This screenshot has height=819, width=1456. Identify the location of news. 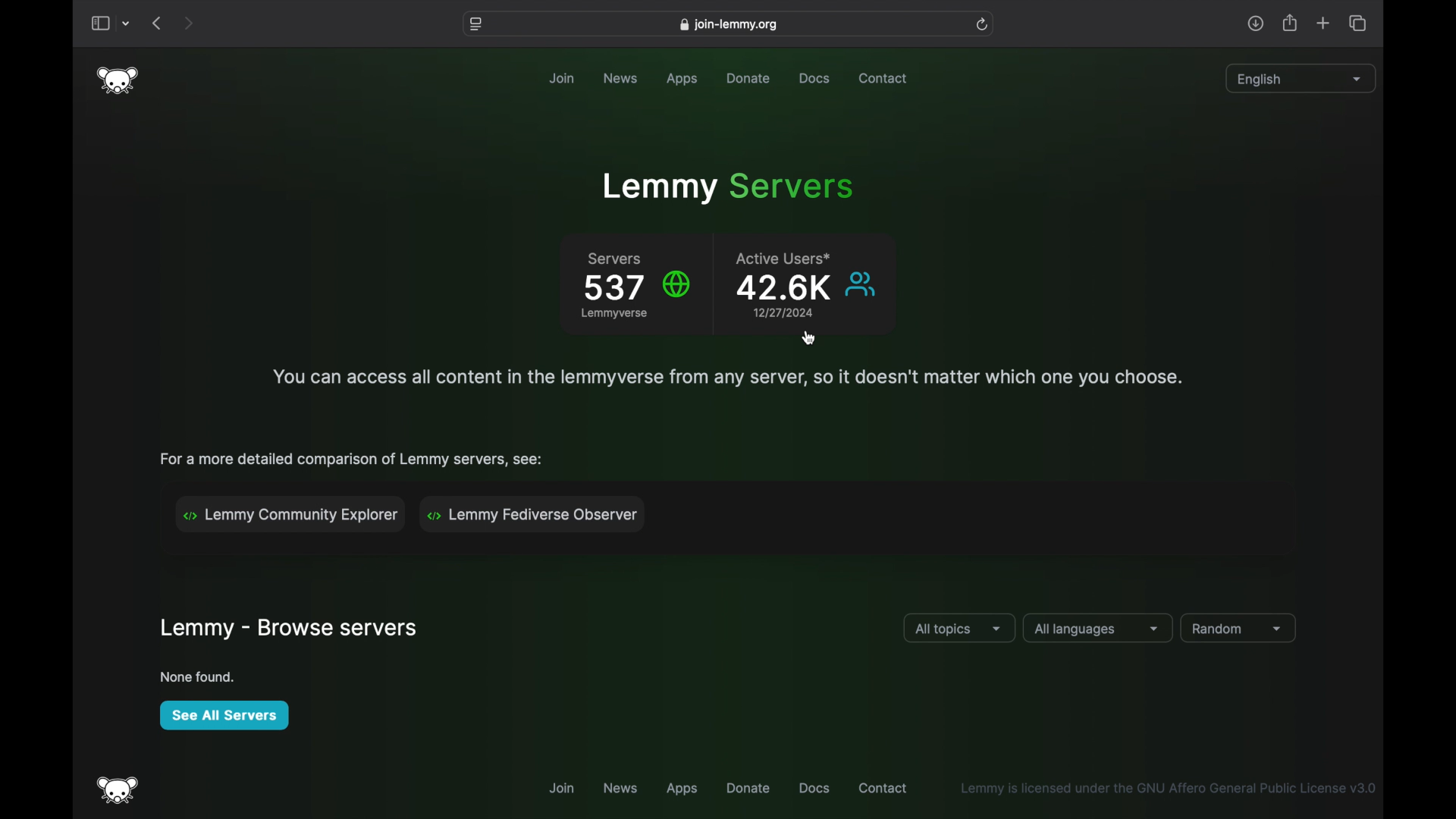
(622, 79).